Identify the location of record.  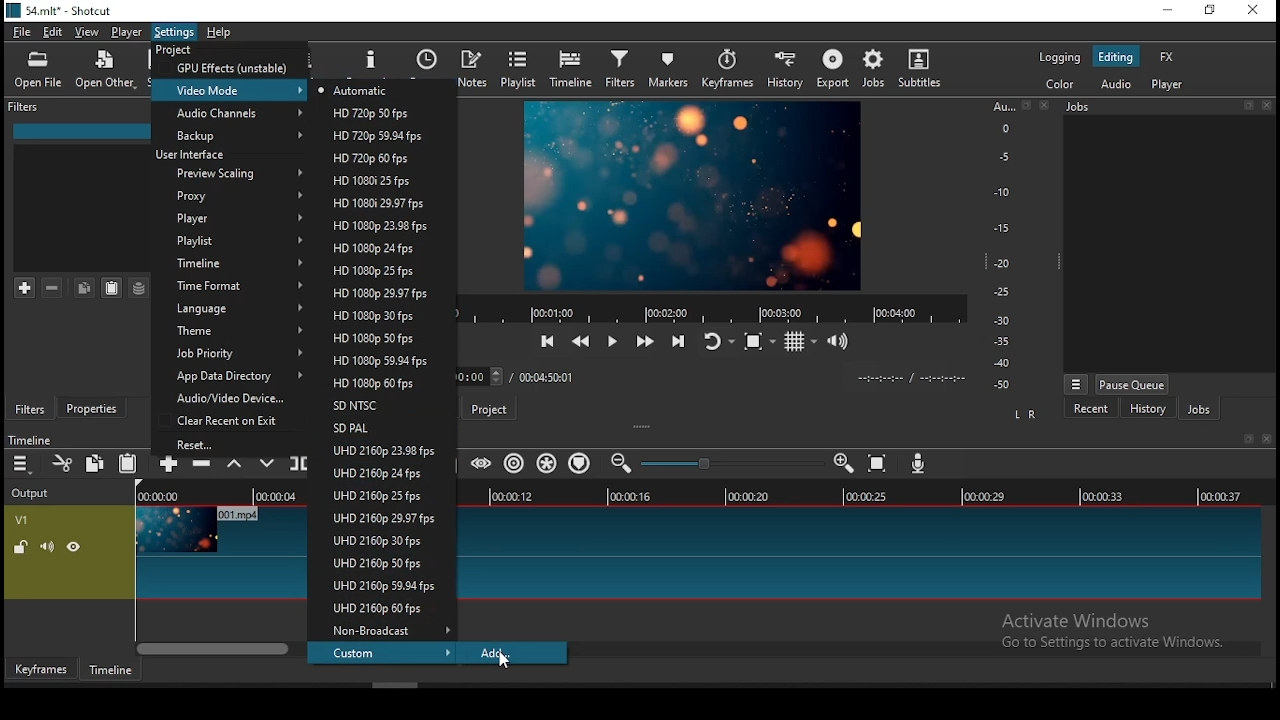
(706, 310).